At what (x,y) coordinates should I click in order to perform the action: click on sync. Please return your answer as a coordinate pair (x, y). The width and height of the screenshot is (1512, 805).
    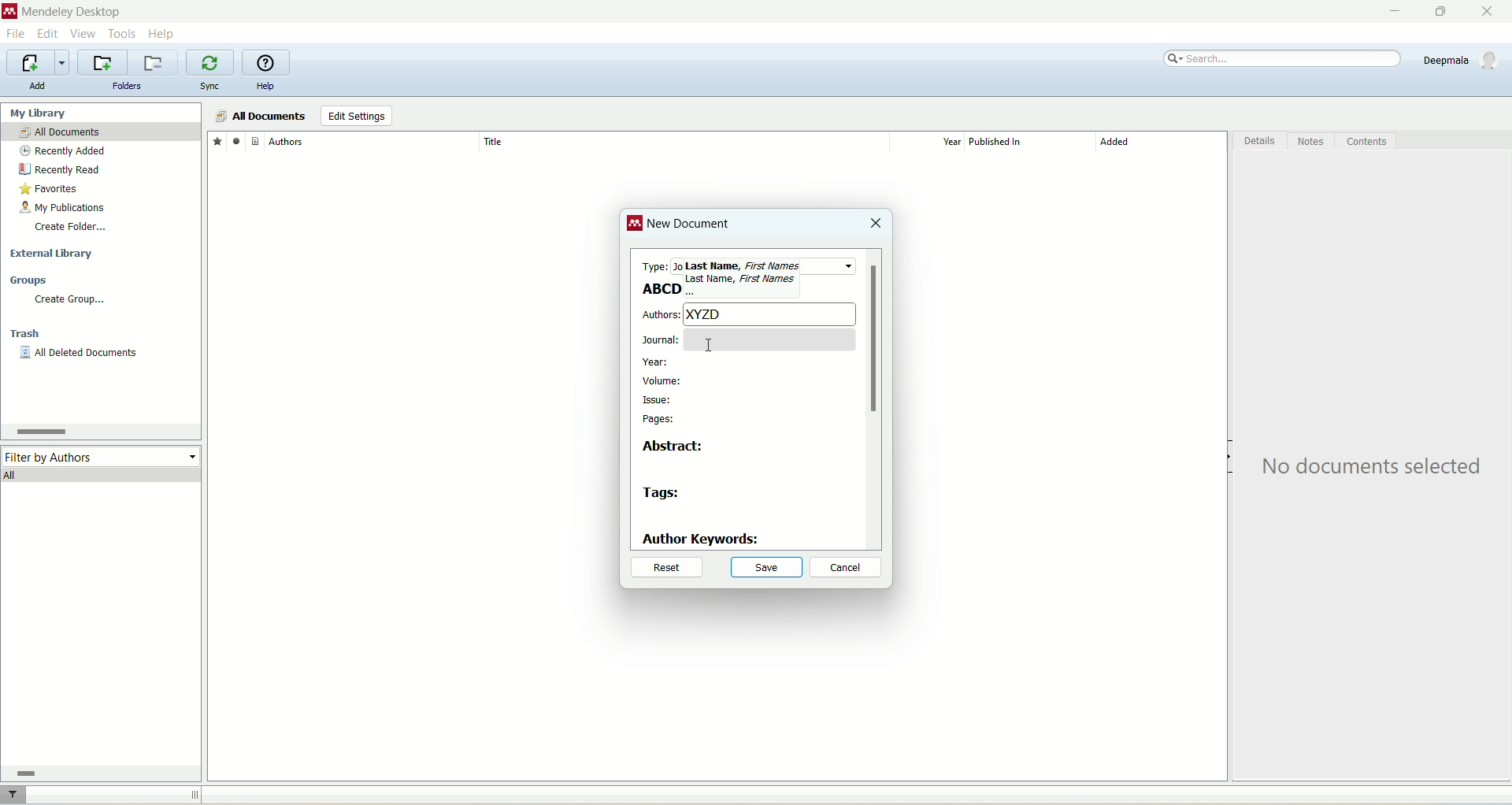
    Looking at the image, I should click on (212, 87).